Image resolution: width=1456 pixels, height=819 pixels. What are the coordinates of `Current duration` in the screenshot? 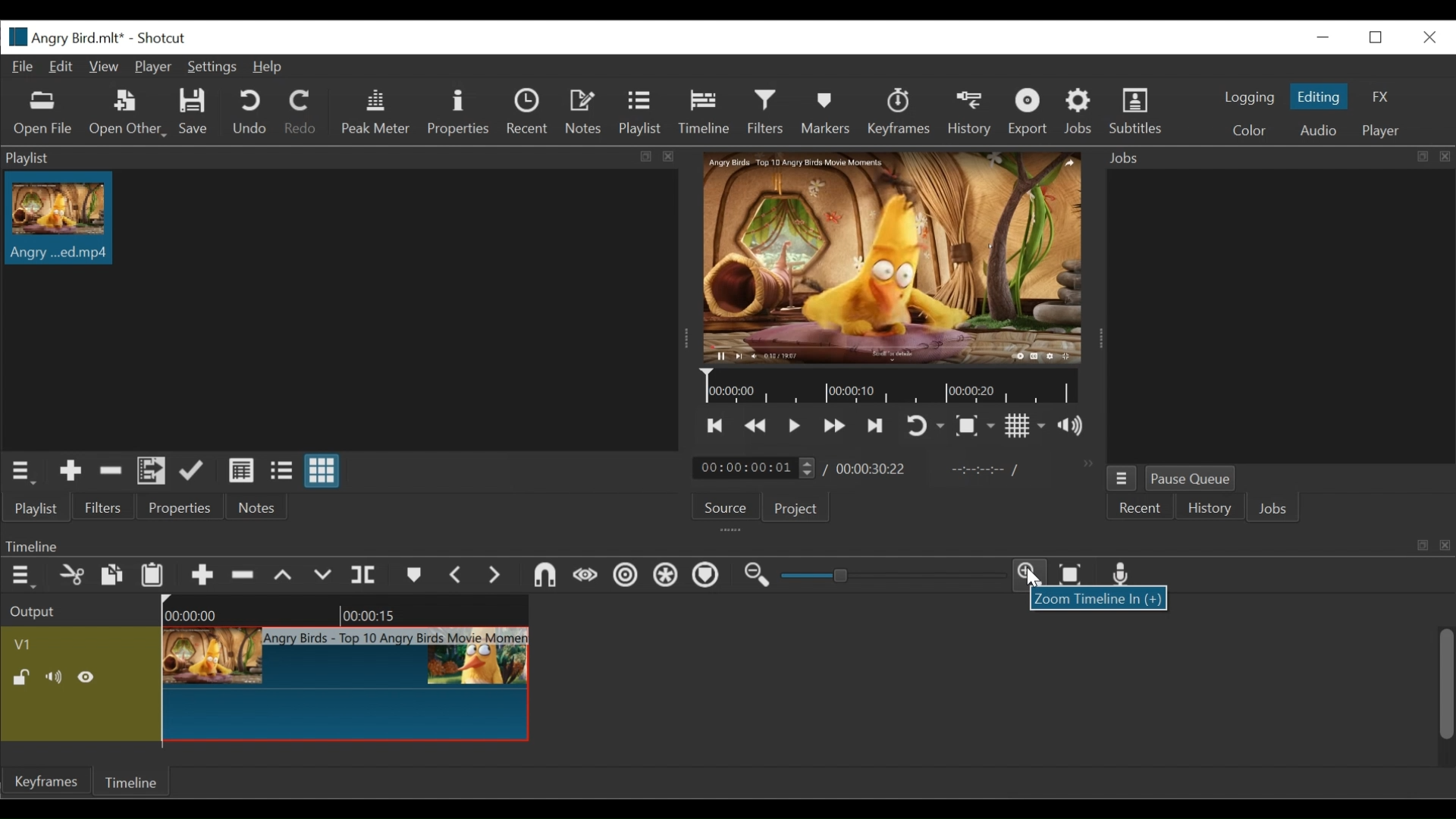 It's located at (755, 469).